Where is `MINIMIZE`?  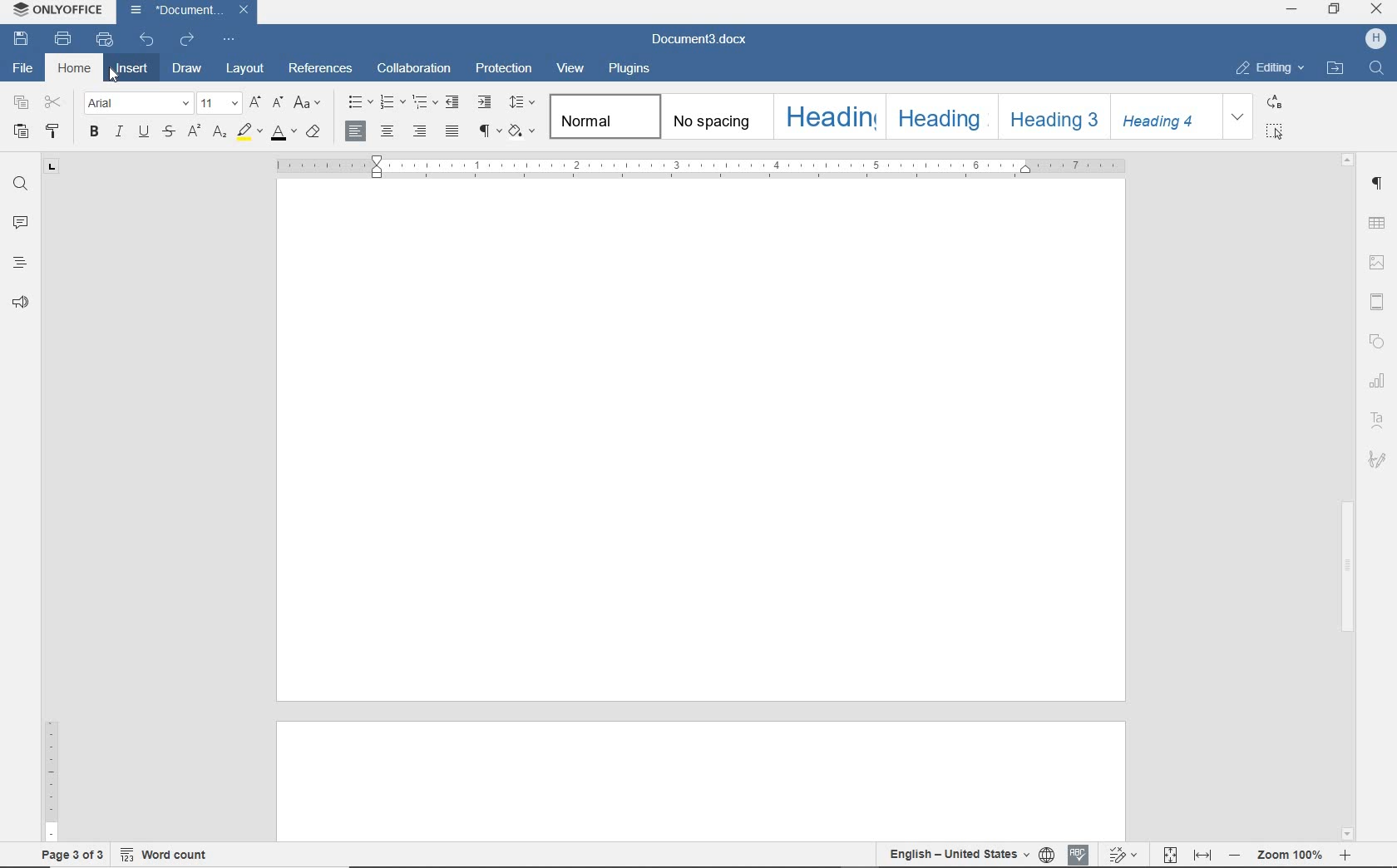 MINIMIZE is located at coordinates (1293, 11).